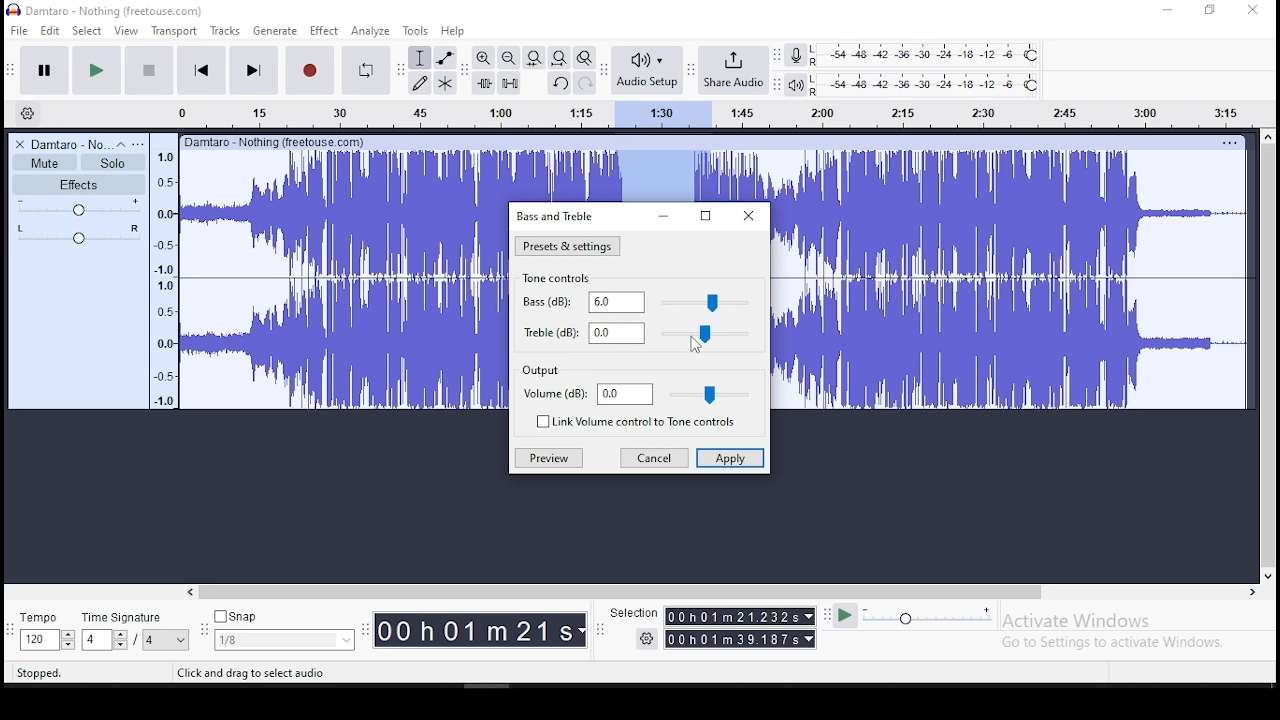 The height and width of the screenshot is (720, 1280). What do you see at coordinates (559, 83) in the screenshot?
I see `undo` at bounding box center [559, 83].